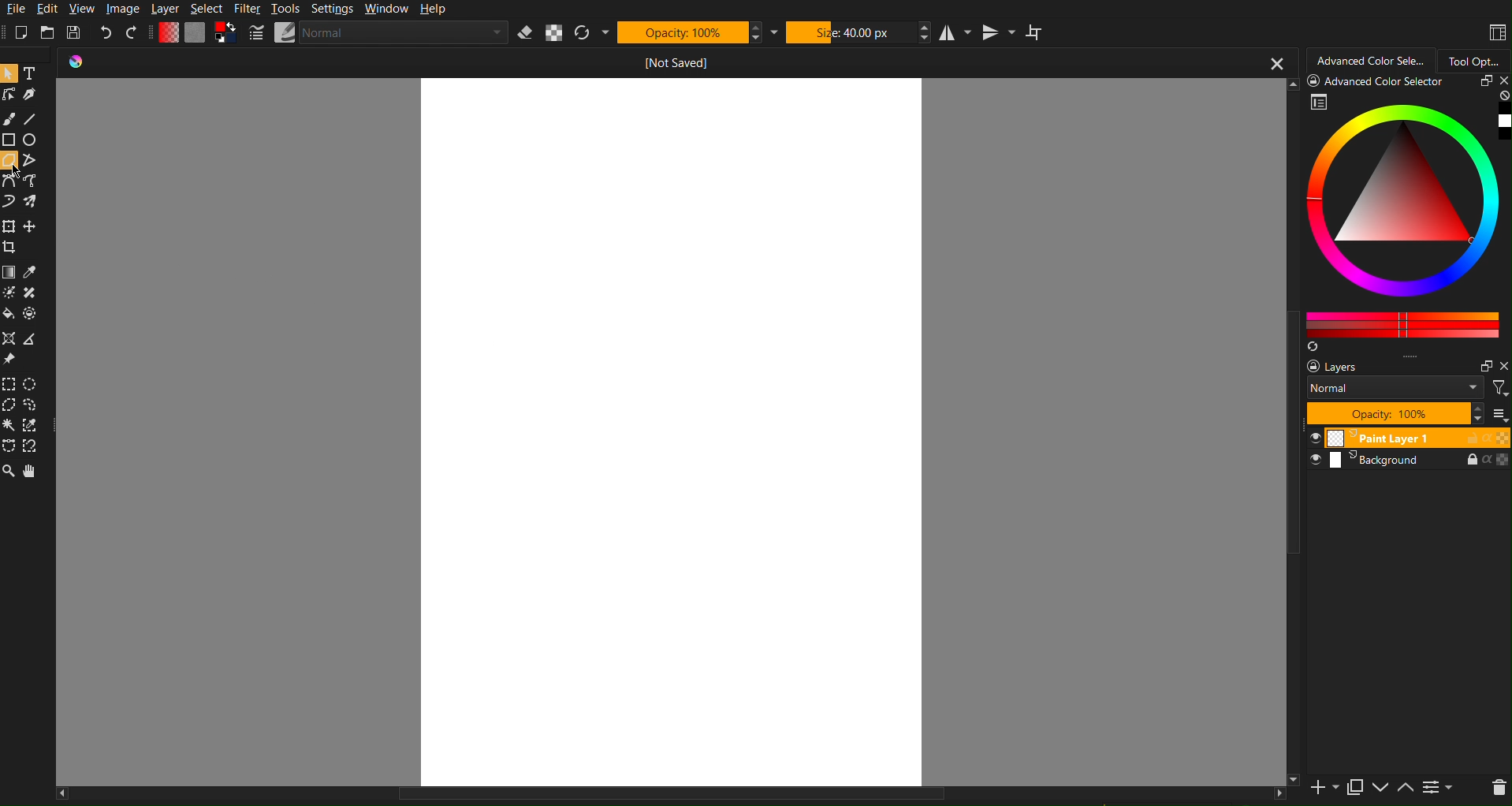 This screenshot has width=1512, height=806. I want to click on Alpha, so click(554, 33).